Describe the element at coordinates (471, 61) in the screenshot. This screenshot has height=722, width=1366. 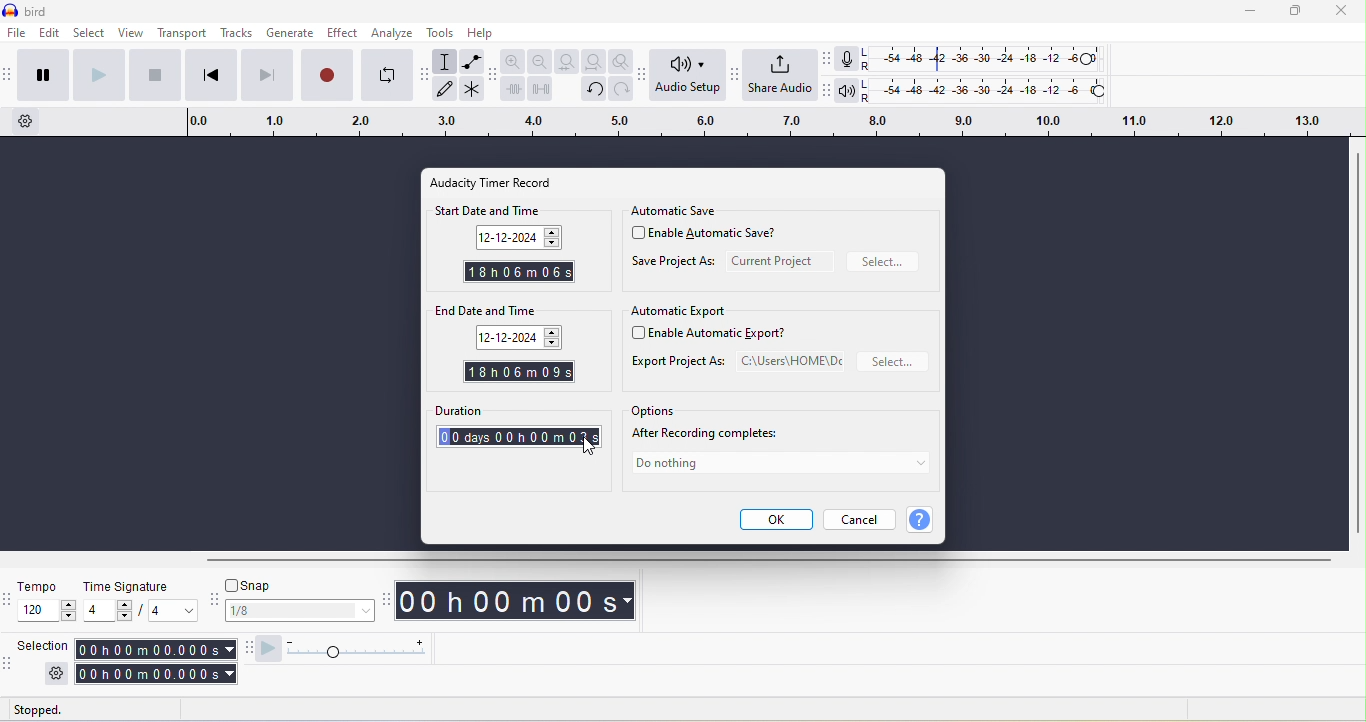
I see `envelope tool` at that location.